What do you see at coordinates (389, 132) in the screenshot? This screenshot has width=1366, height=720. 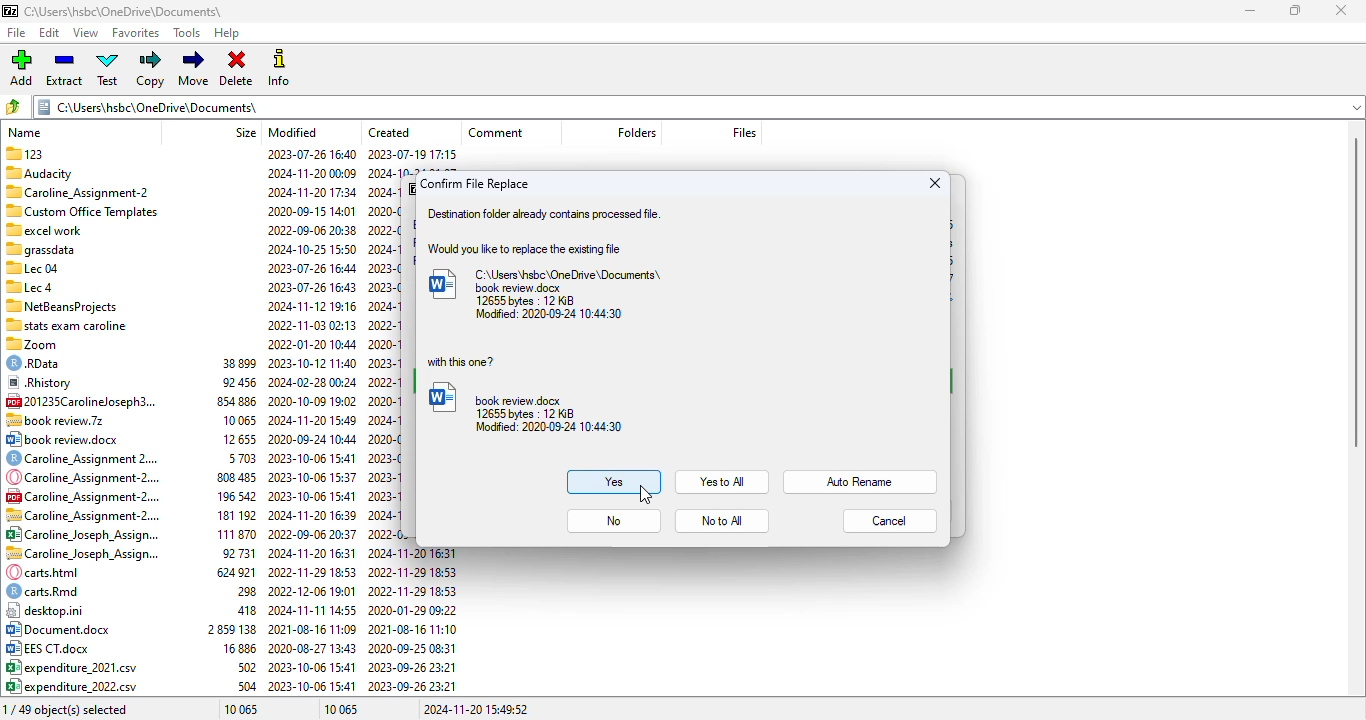 I see `created` at bounding box center [389, 132].